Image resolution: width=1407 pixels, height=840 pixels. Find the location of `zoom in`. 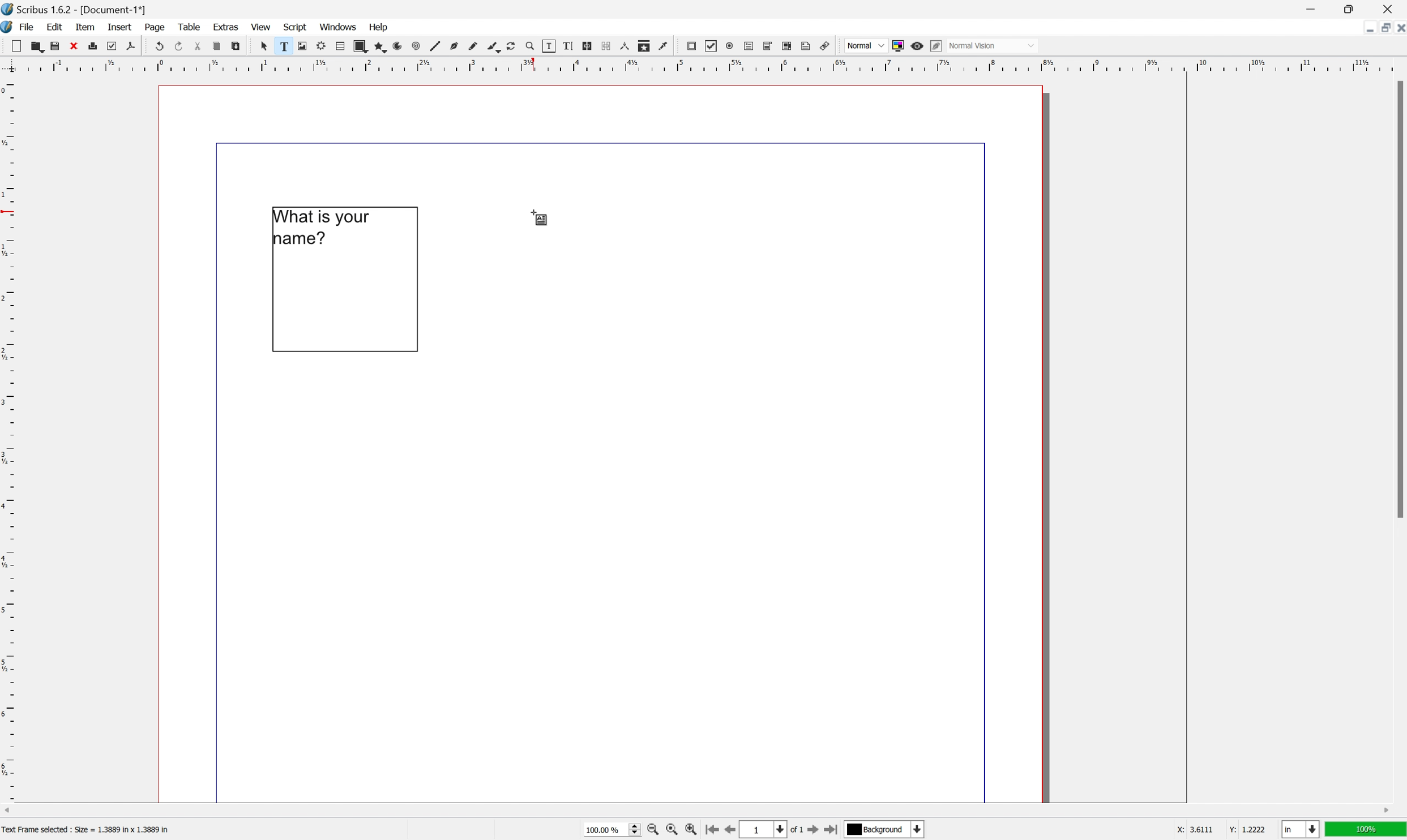

zoom in is located at coordinates (692, 831).